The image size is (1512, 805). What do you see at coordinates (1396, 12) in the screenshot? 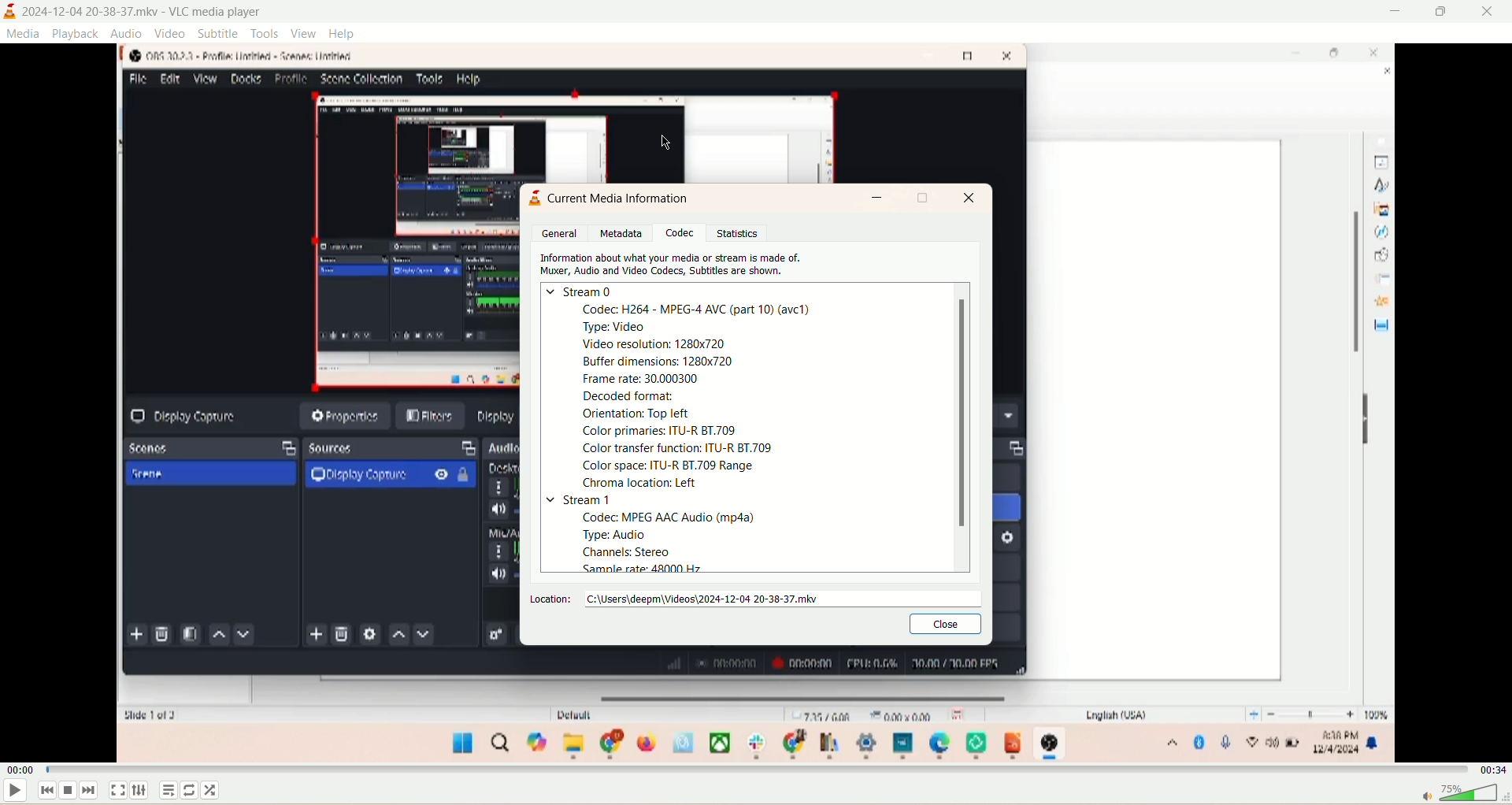
I see `minimize` at bounding box center [1396, 12].